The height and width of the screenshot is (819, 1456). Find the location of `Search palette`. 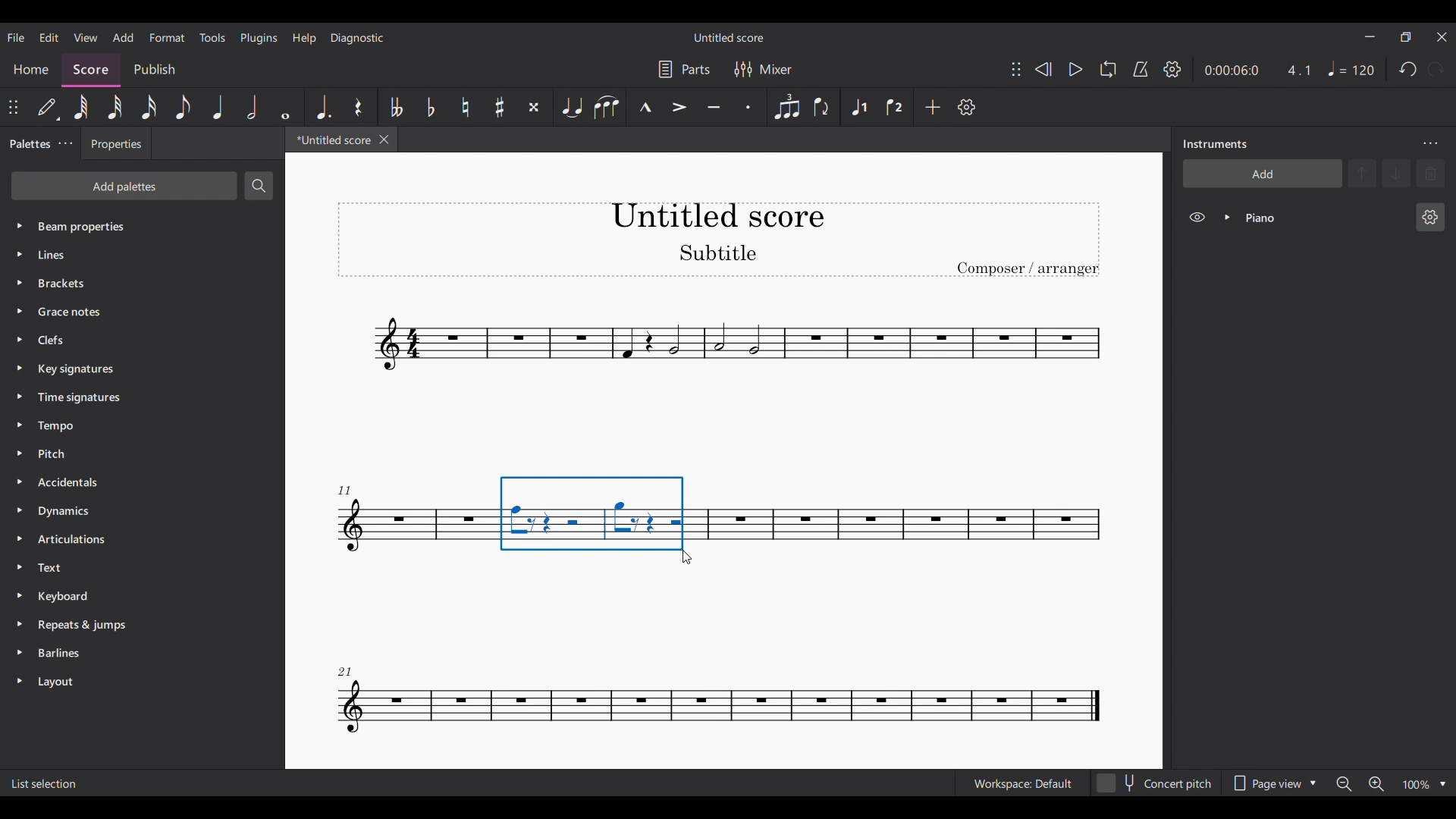

Search palette is located at coordinates (259, 185).